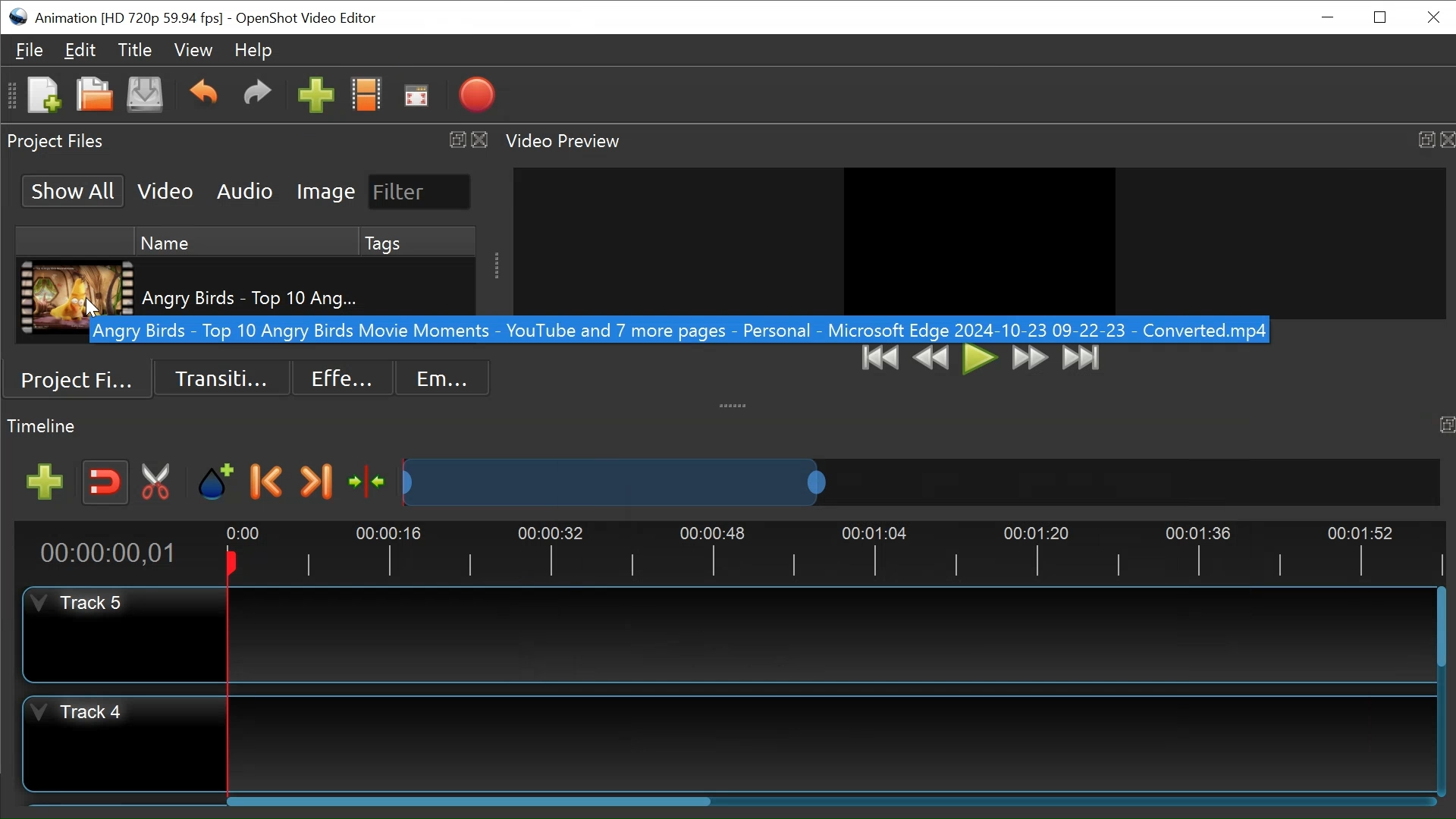  What do you see at coordinates (121, 743) in the screenshot?
I see `Track Header` at bounding box center [121, 743].